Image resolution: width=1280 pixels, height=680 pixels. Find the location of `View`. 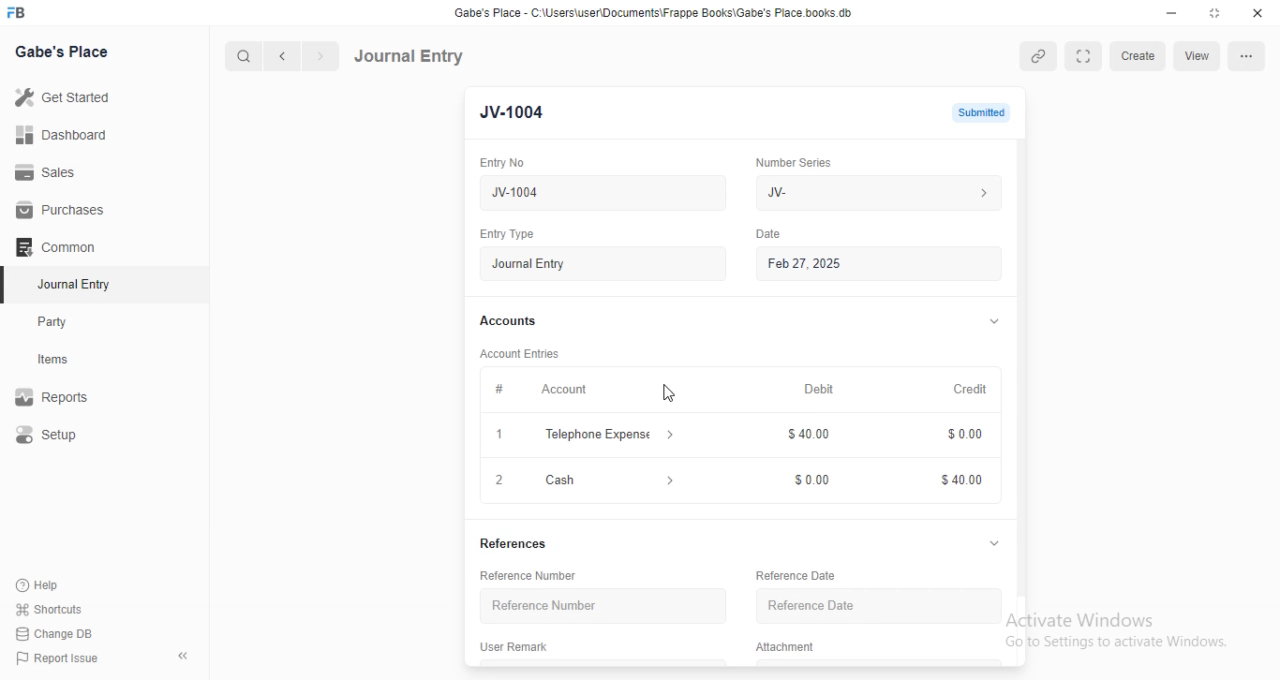

View is located at coordinates (1194, 57).